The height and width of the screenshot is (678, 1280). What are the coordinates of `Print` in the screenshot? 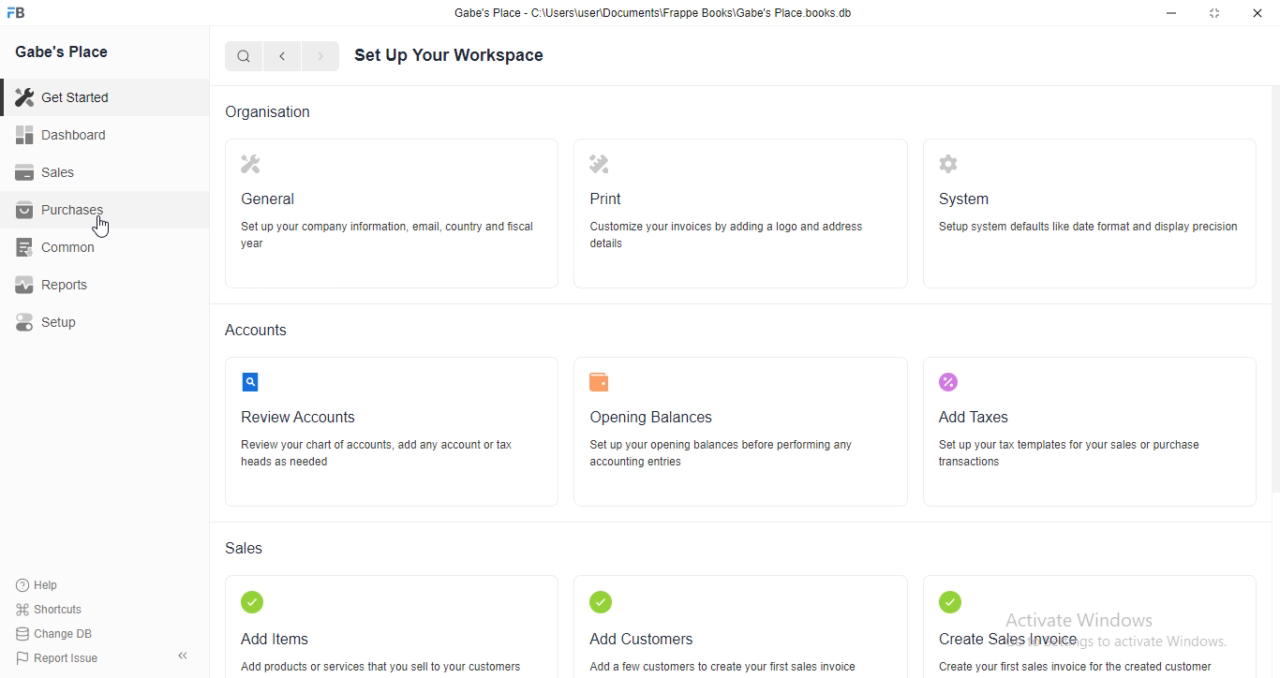 It's located at (608, 197).